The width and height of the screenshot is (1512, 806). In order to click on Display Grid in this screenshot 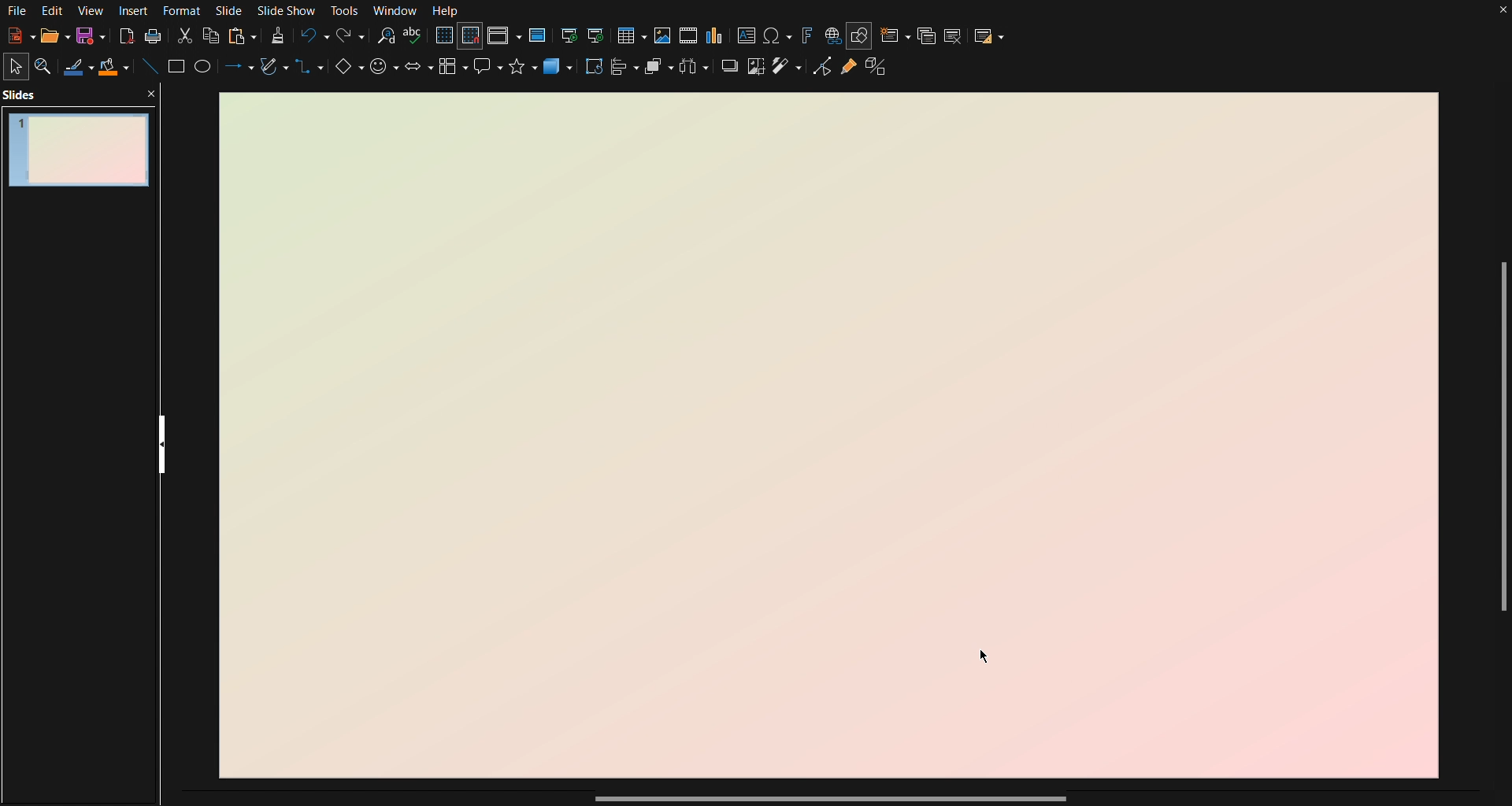, I will do `click(443, 36)`.